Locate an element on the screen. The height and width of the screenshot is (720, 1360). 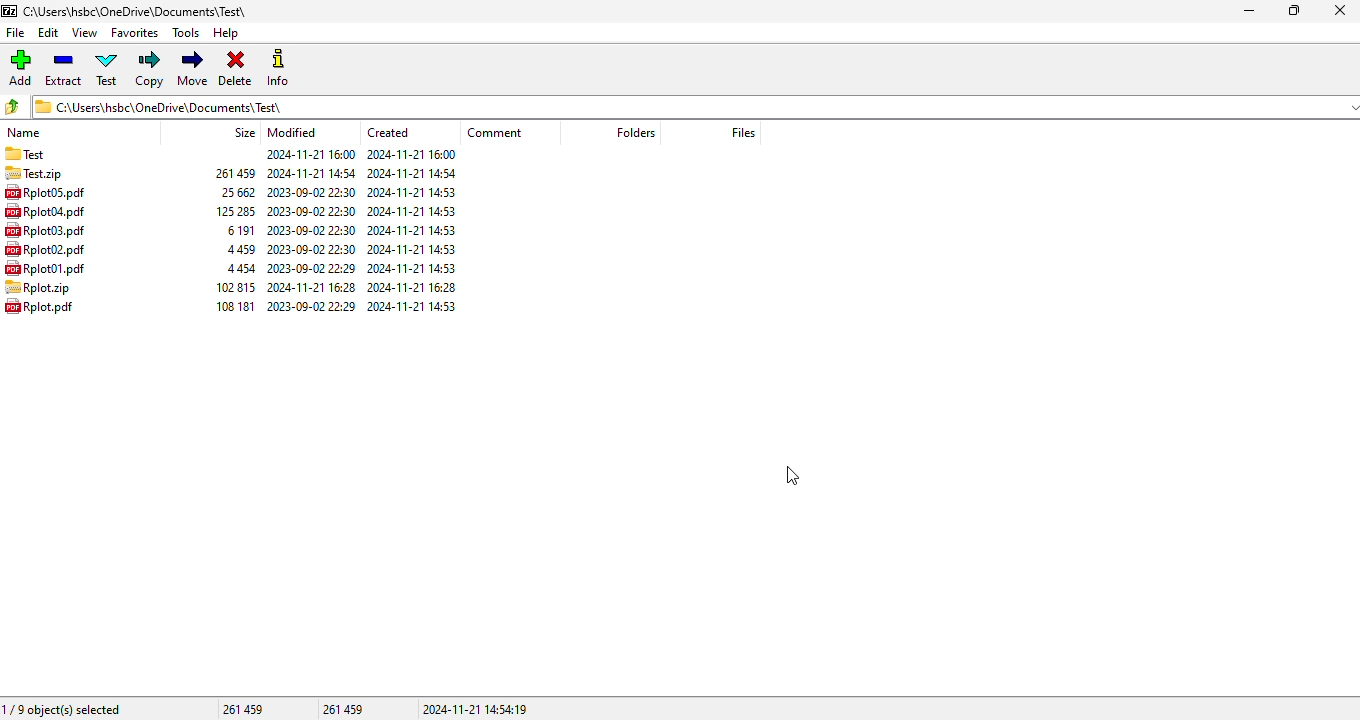
file is located at coordinates (38, 287).